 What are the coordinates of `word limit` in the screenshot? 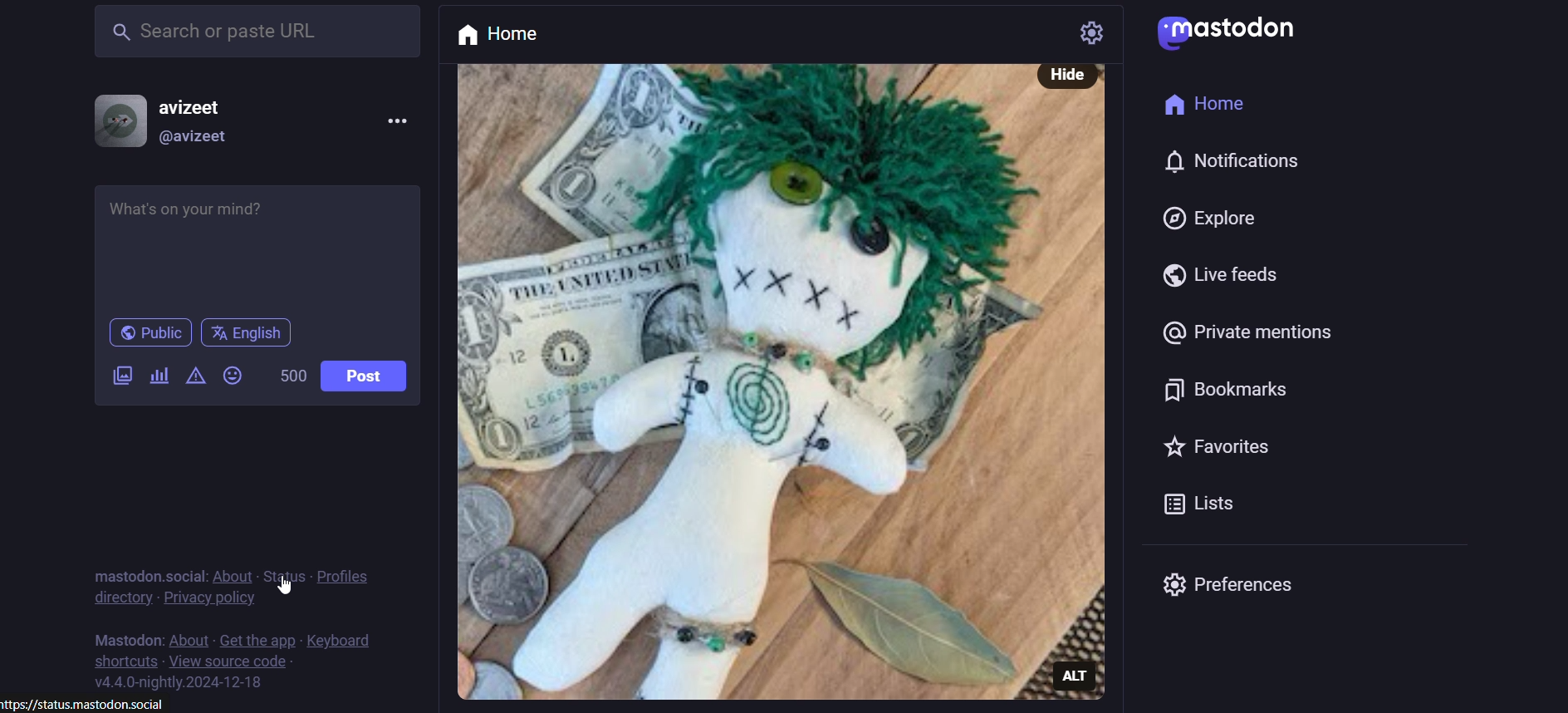 It's located at (287, 374).